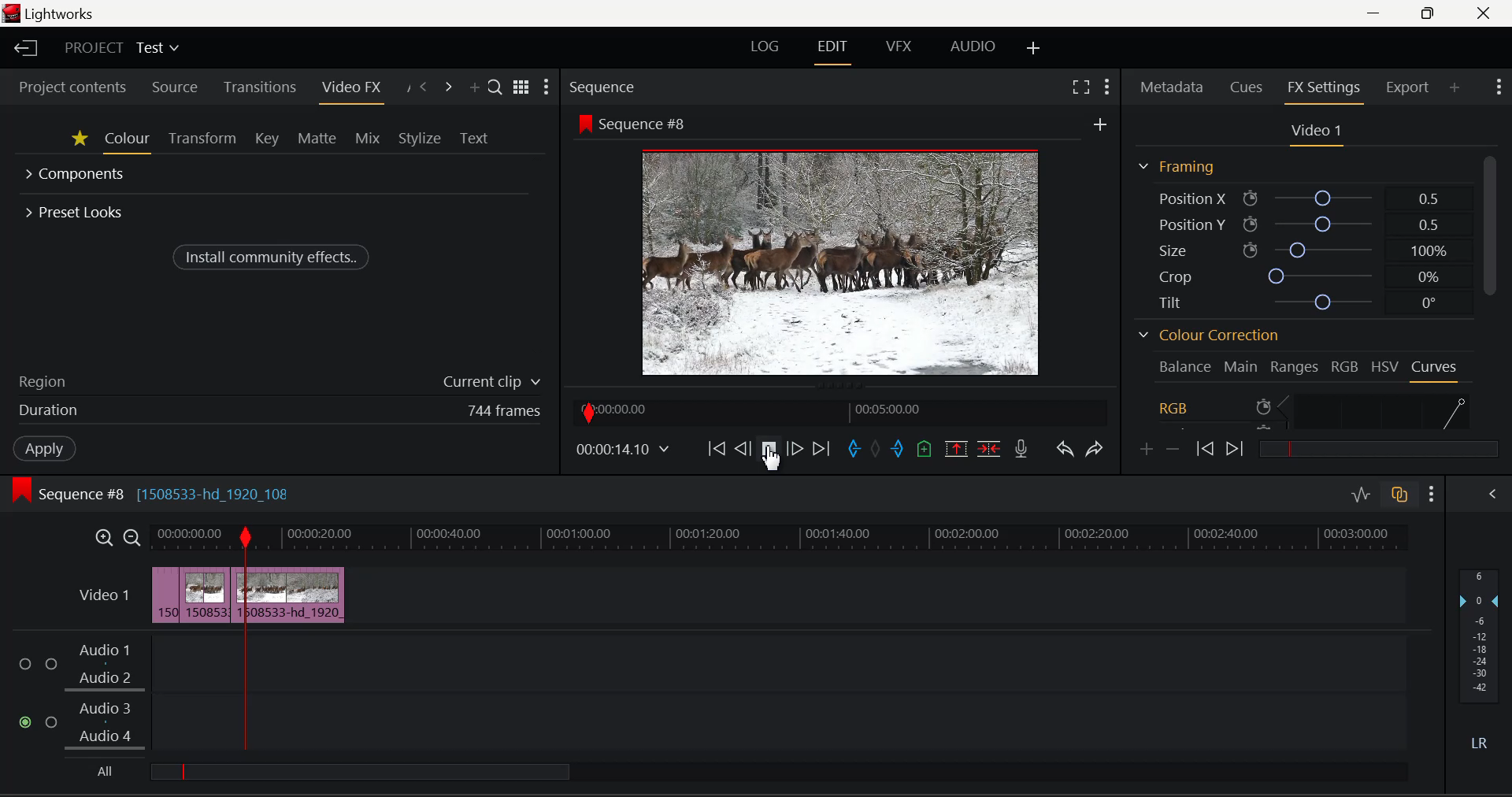 The width and height of the screenshot is (1512, 797). I want to click on Video FX, so click(349, 87).